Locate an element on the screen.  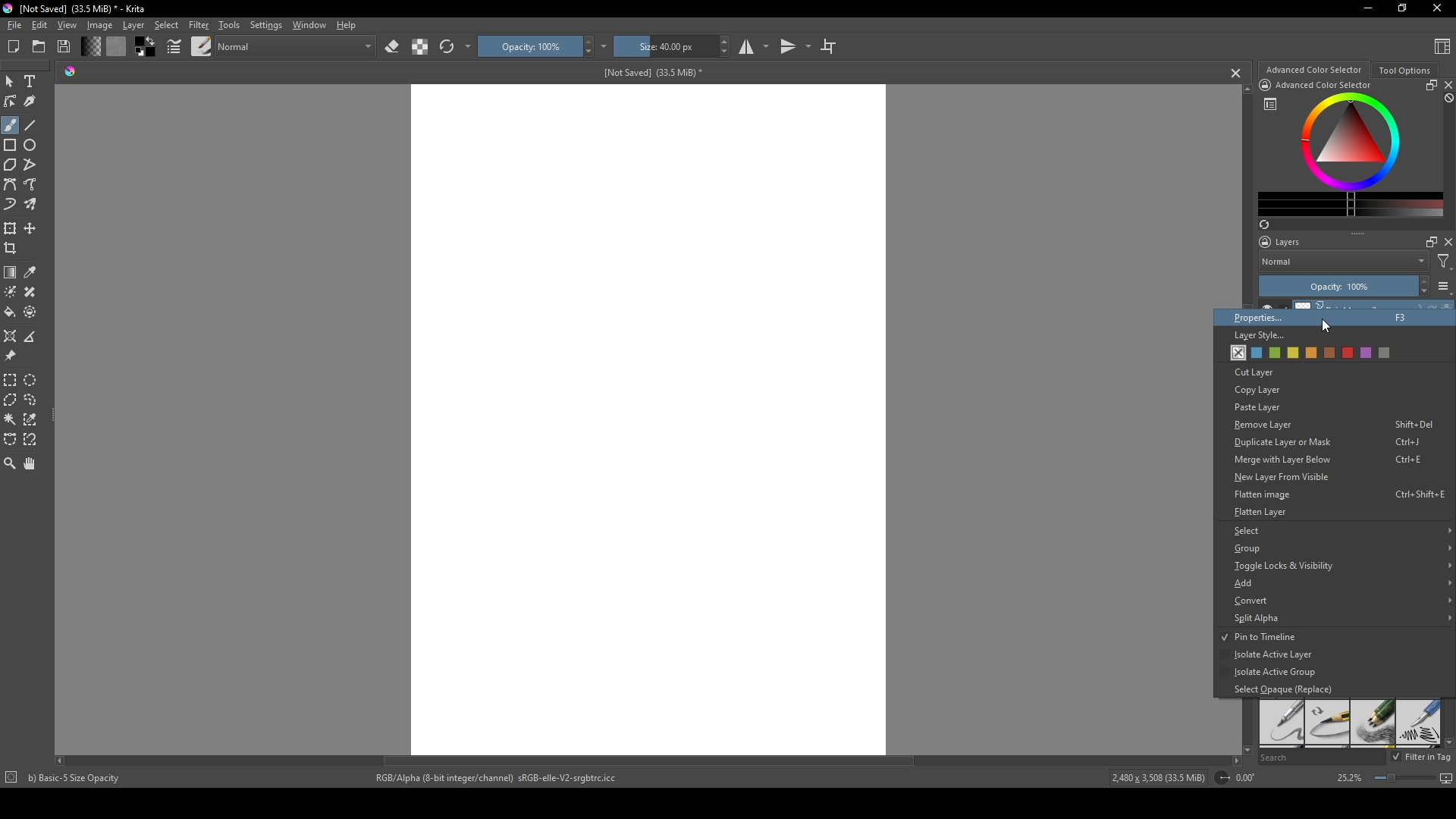
| Merge with Layer Below CHrieE is located at coordinates (1326, 460).